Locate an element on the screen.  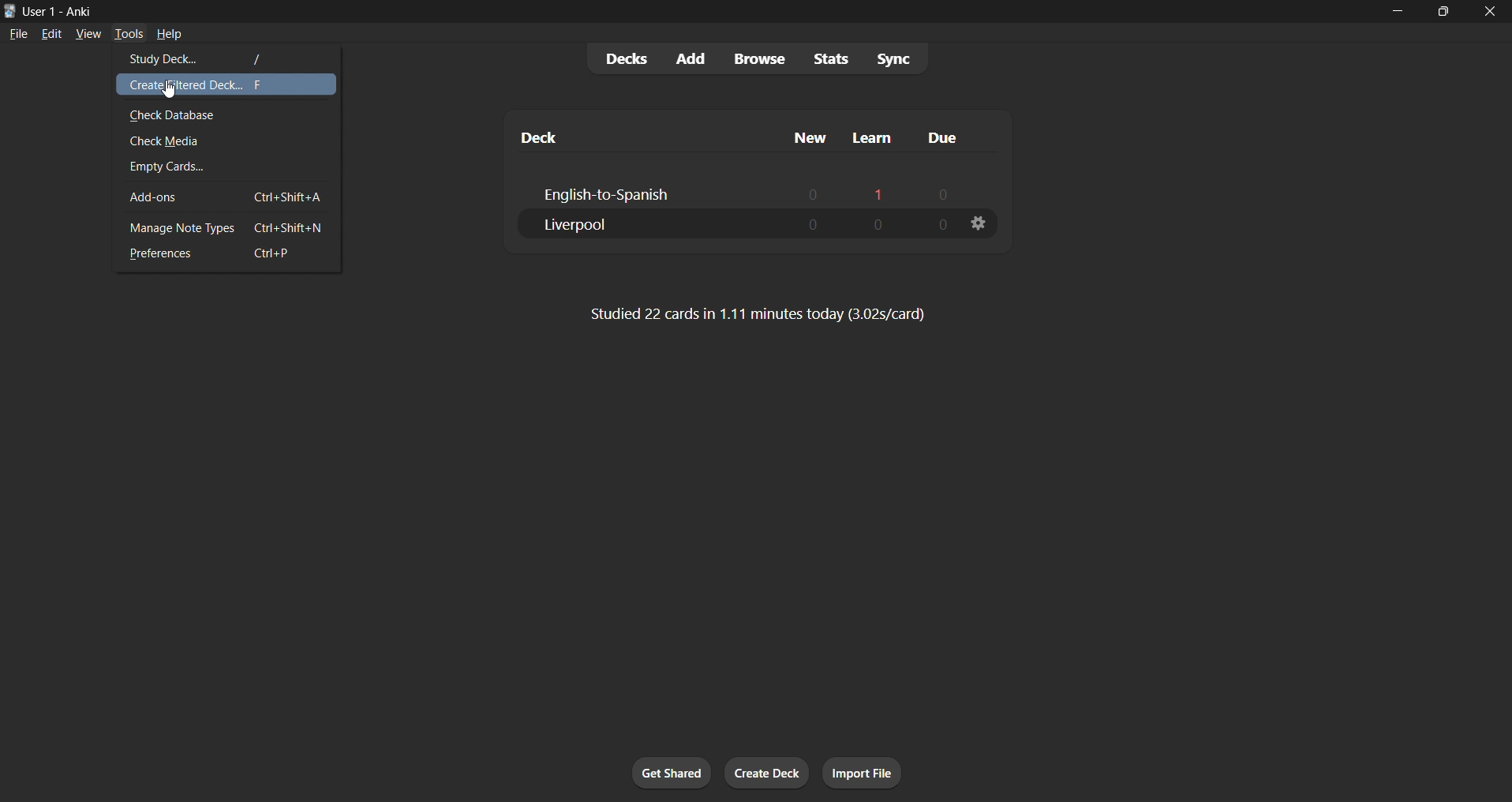
edit is located at coordinates (51, 32).